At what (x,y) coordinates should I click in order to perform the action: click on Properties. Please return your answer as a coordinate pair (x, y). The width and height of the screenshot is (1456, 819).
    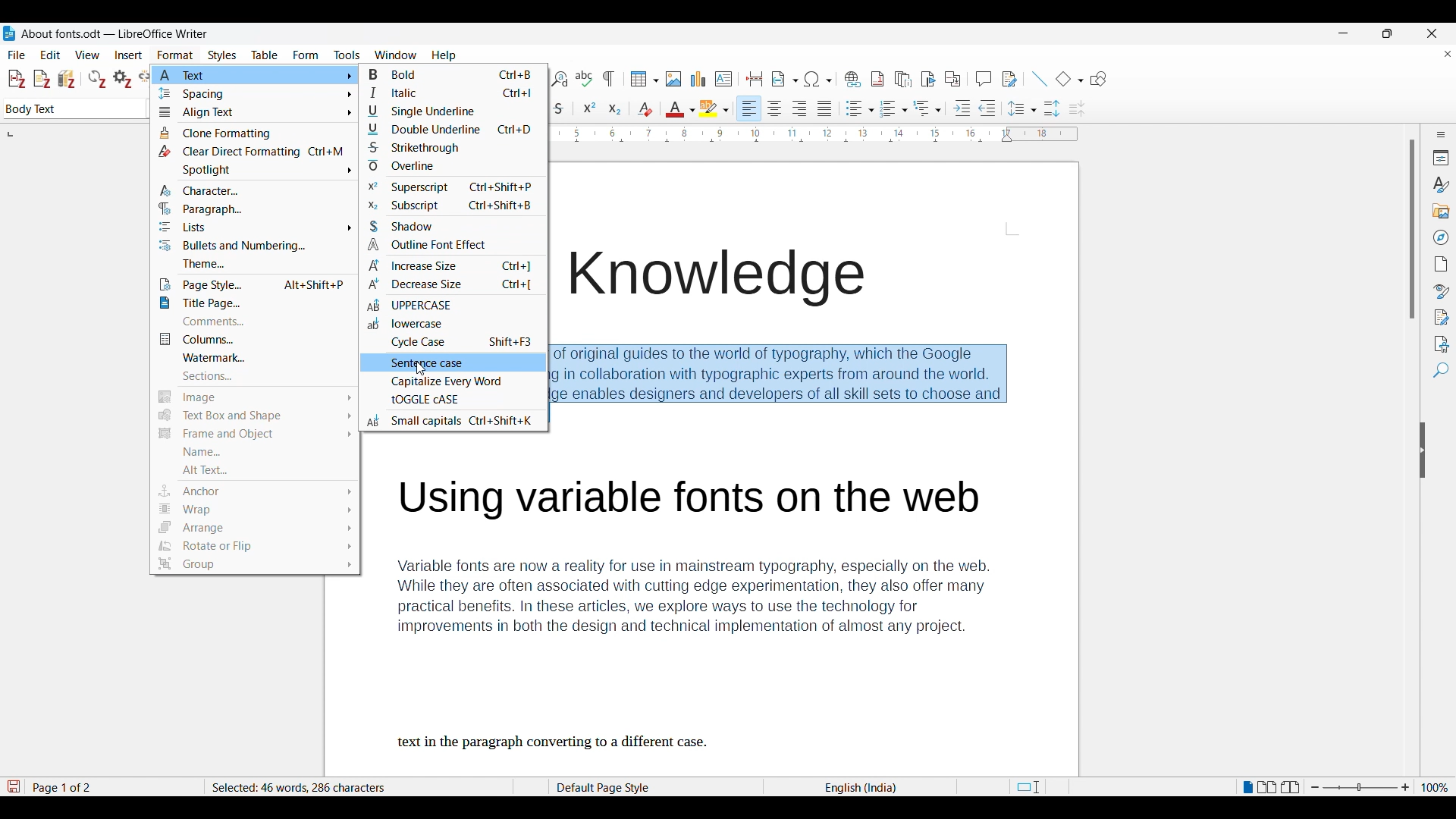
    Looking at the image, I should click on (1442, 158).